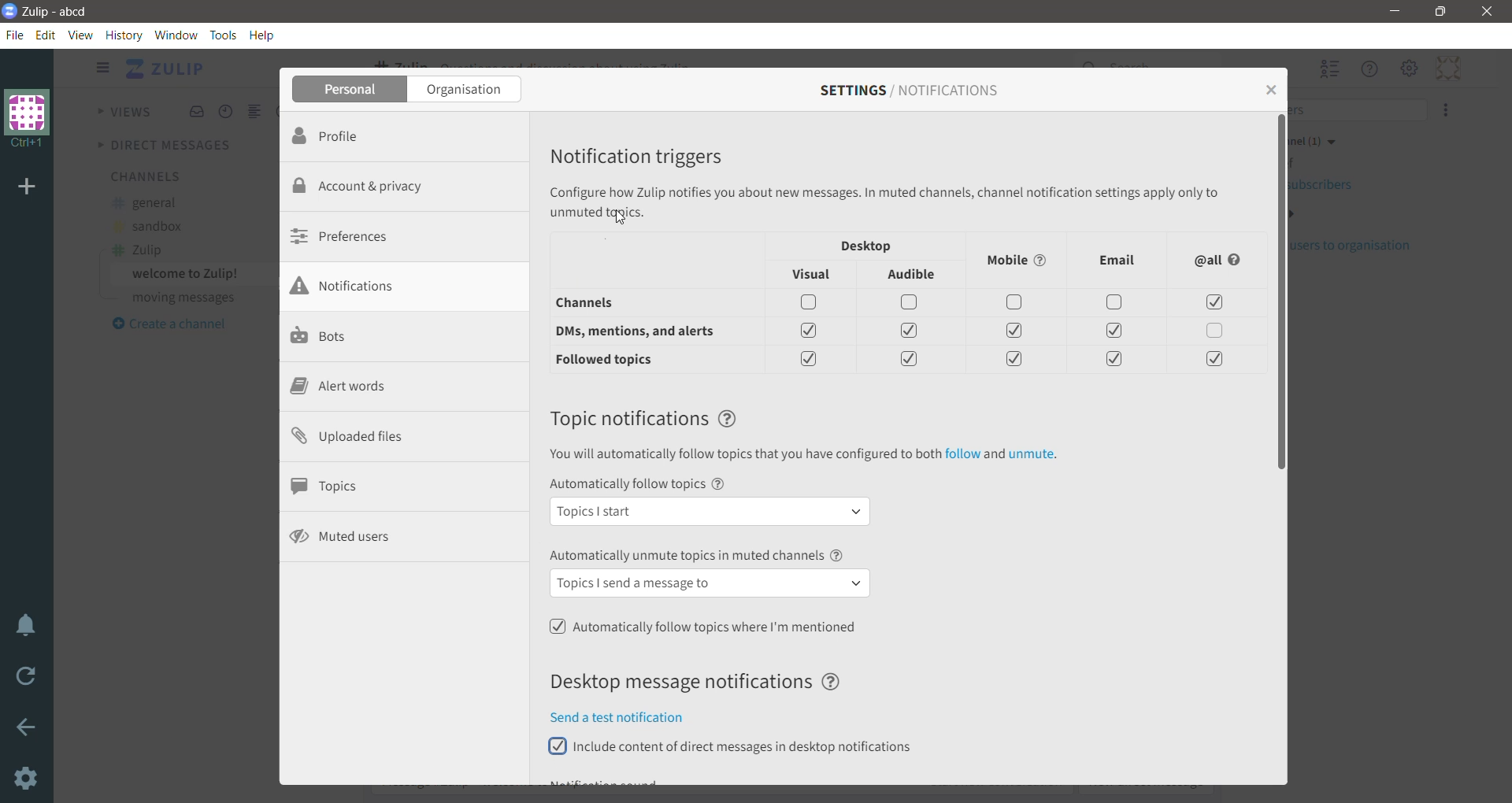 The width and height of the screenshot is (1512, 803). I want to click on File, so click(18, 35).